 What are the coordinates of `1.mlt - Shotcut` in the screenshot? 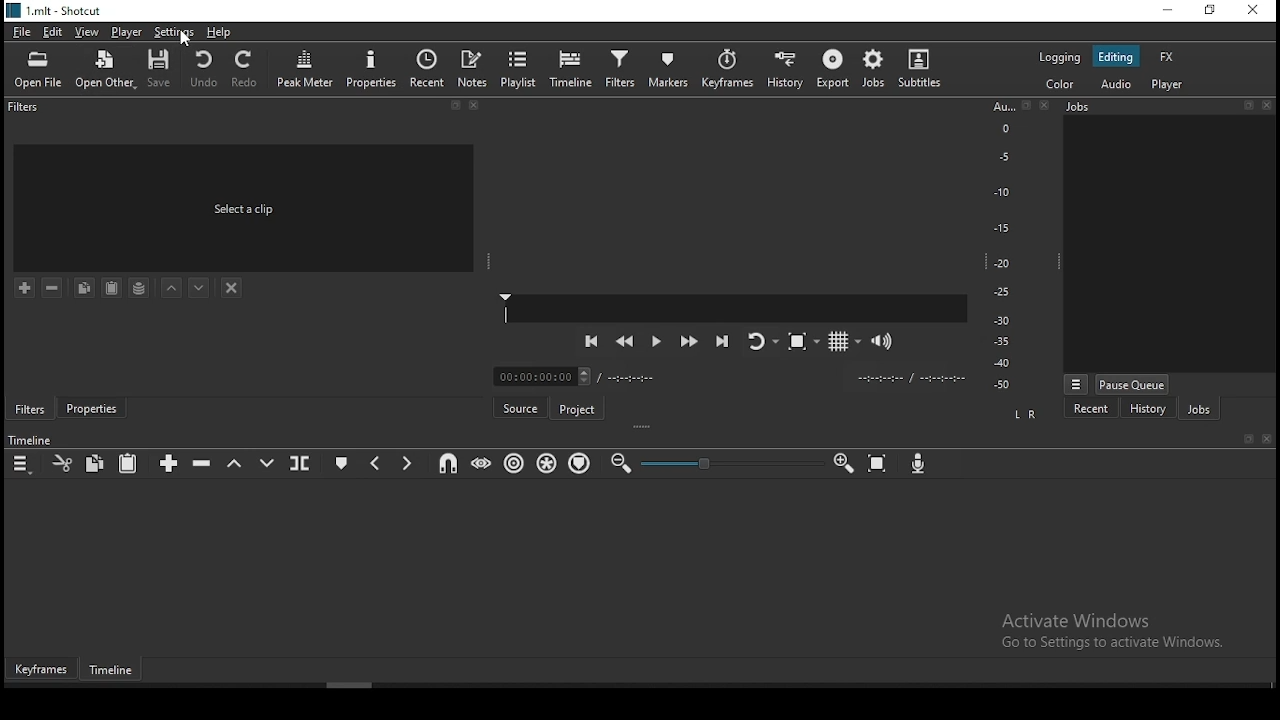 It's located at (56, 11).